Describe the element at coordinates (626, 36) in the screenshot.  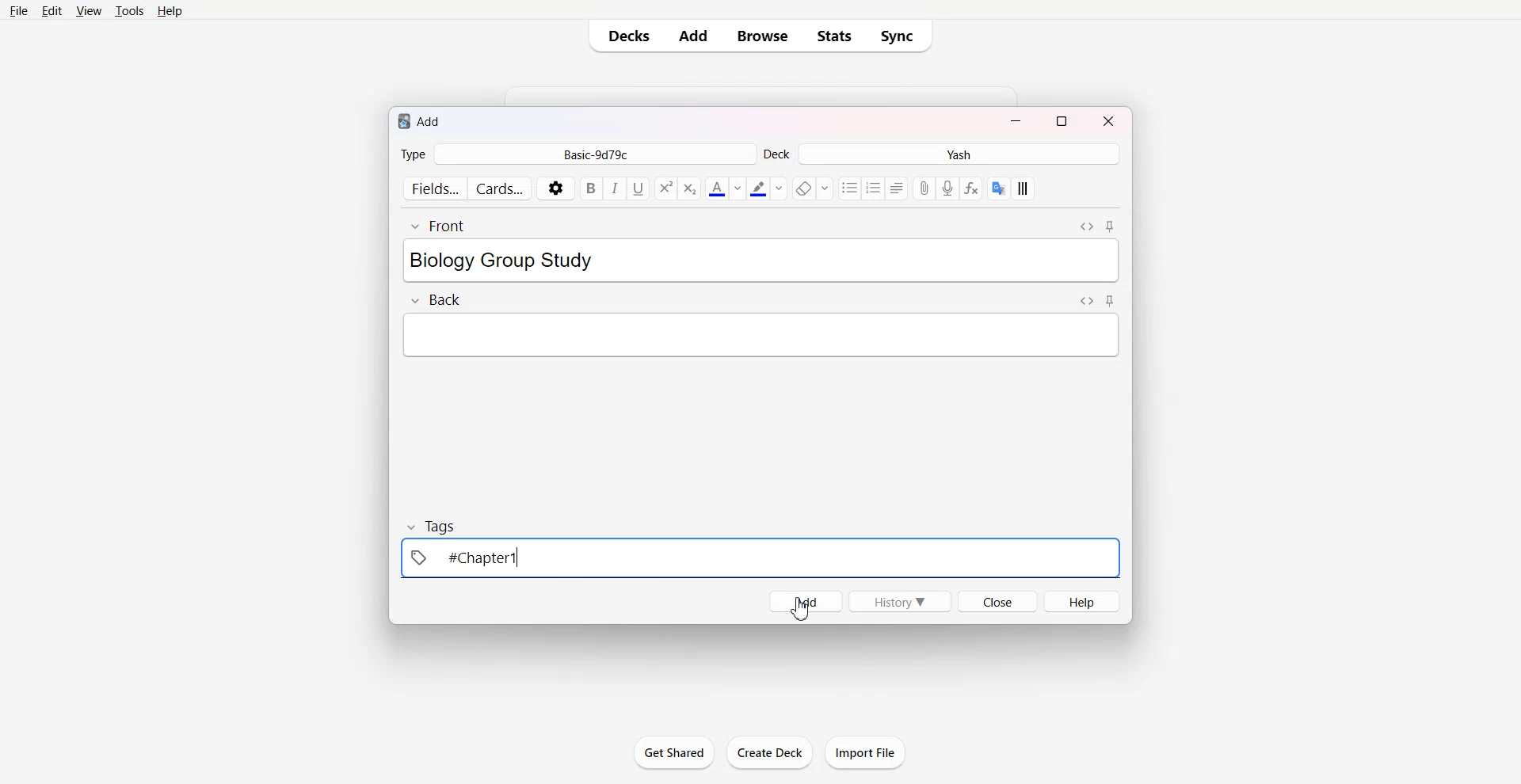
I see `Decks` at that location.